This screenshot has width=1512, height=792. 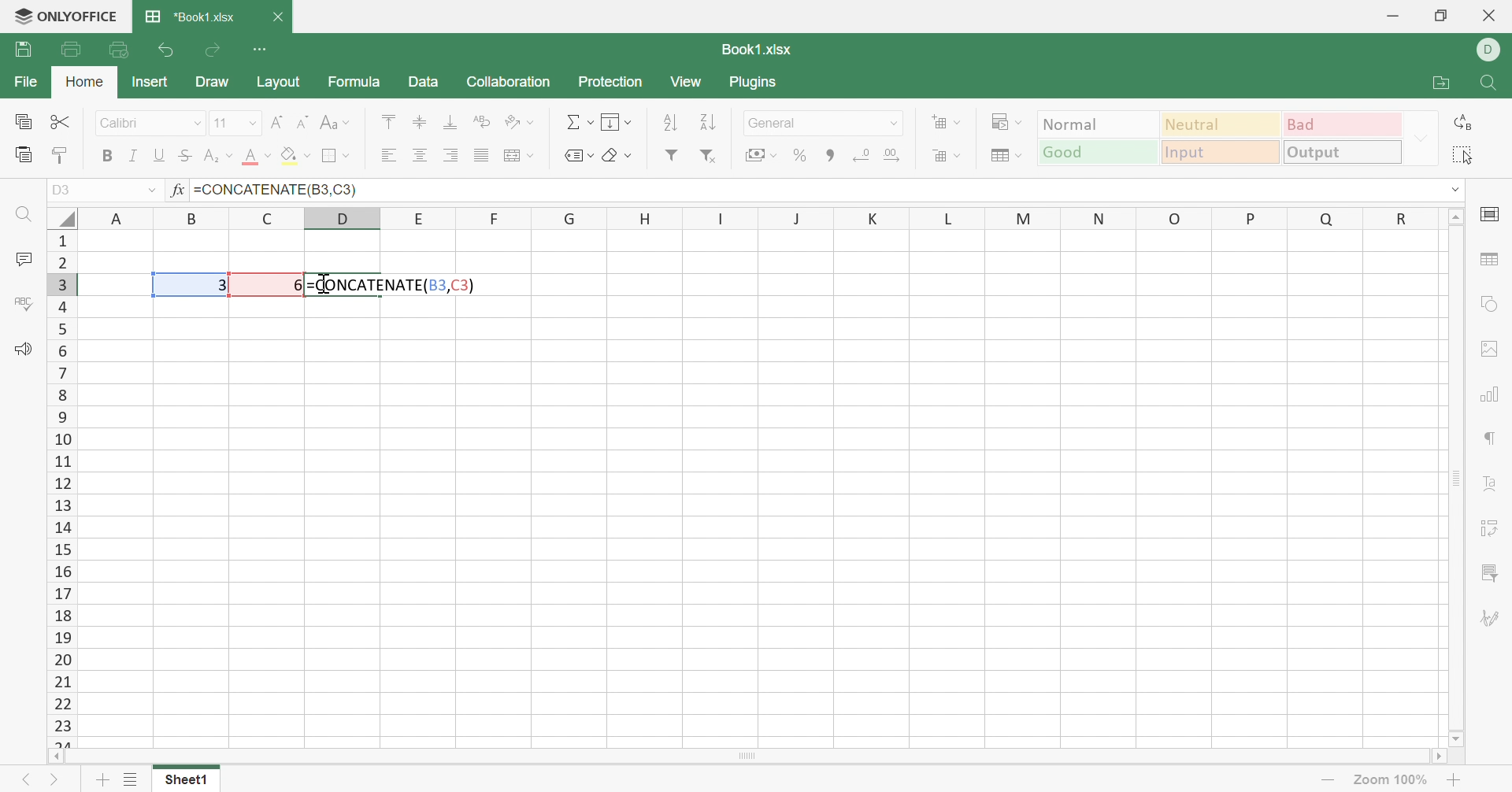 What do you see at coordinates (57, 154) in the screenshot?
I see `Copy style` at bounding box center [57, 154].